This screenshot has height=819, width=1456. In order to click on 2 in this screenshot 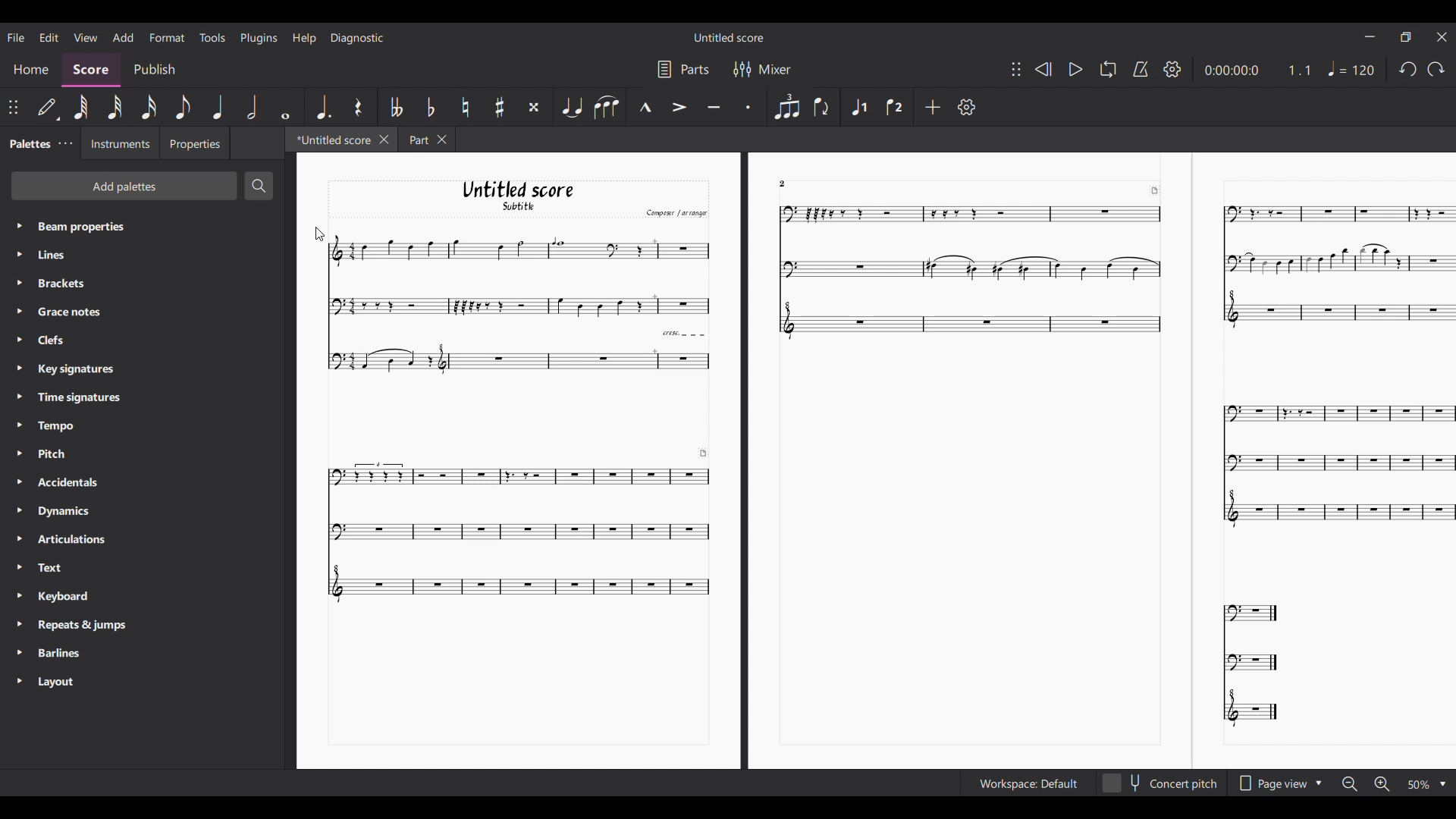, I will do `click(792, 183)`.